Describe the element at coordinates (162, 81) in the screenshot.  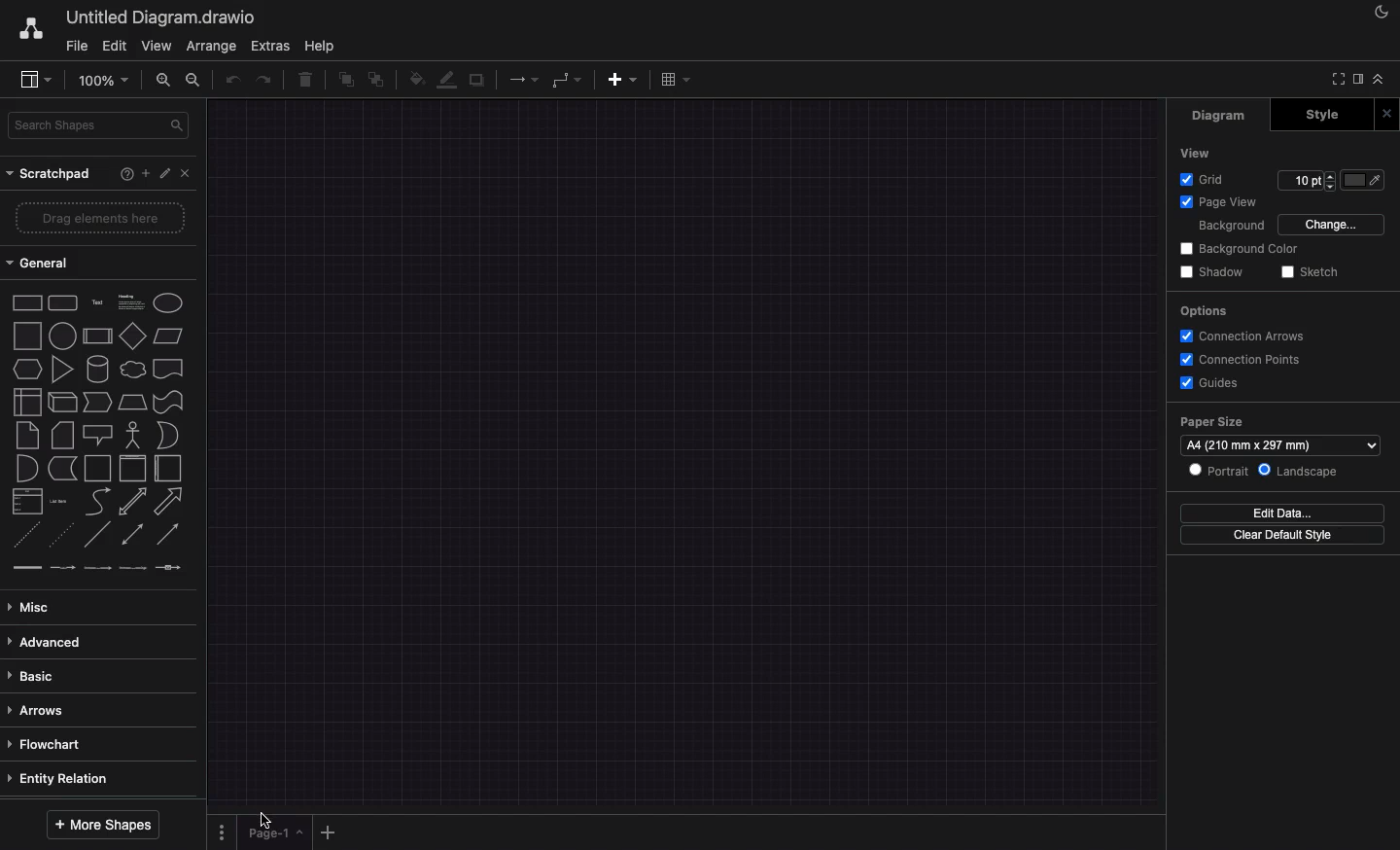
I see `zoom in` at that location.